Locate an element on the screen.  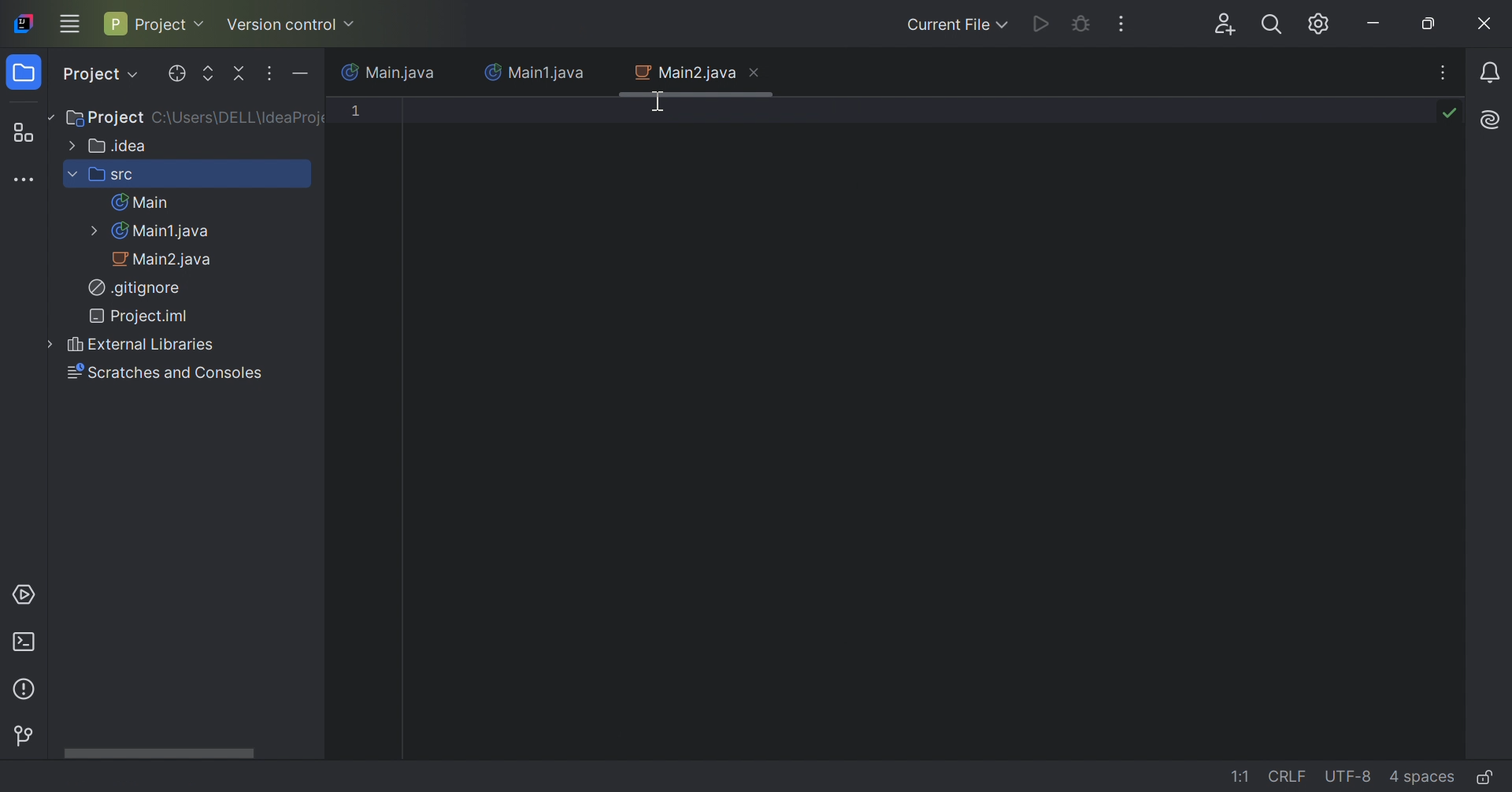
Minimize is located at coordinates (1376, 23).